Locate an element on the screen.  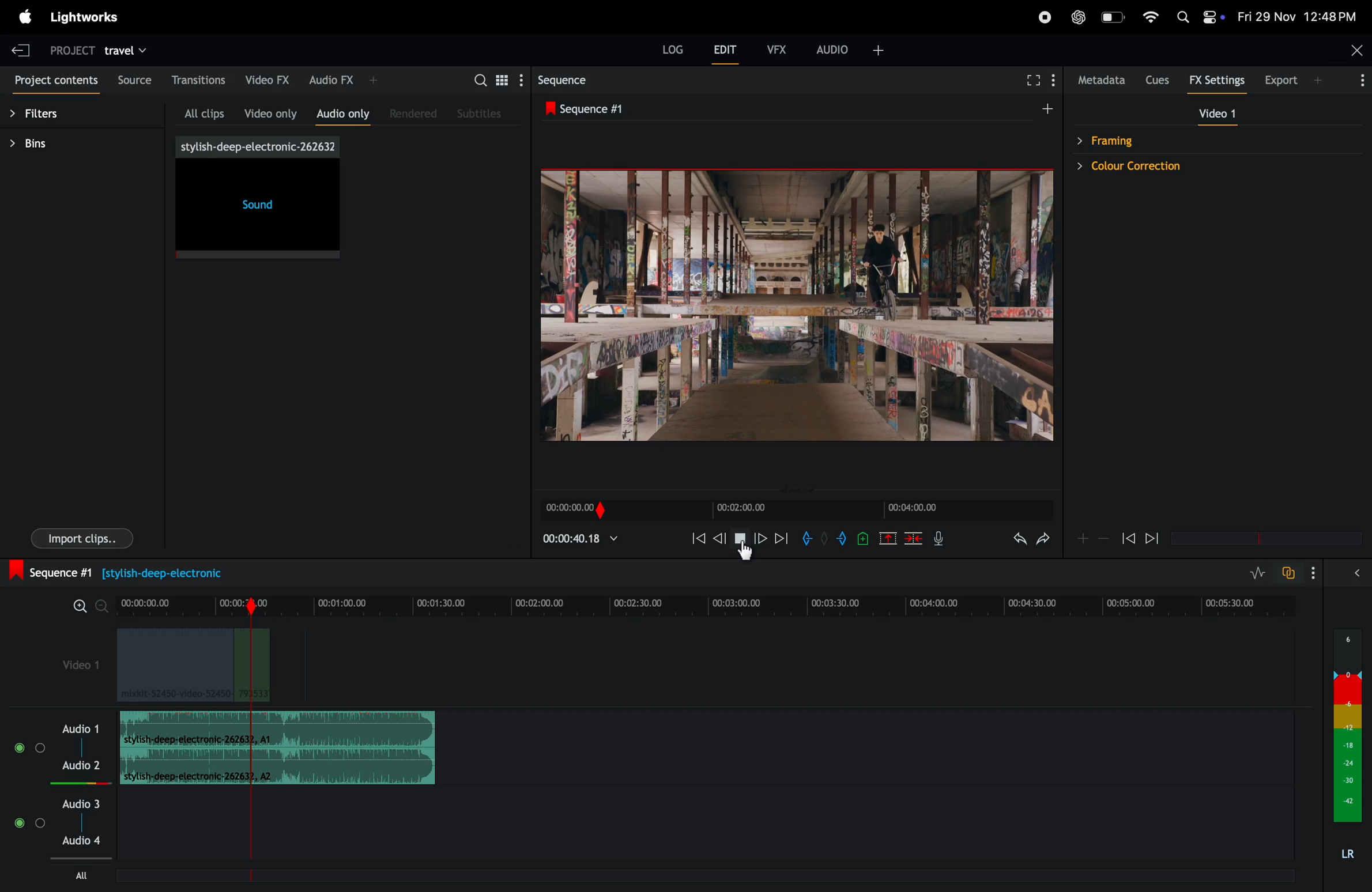
search is located at coordinates (478, 78).